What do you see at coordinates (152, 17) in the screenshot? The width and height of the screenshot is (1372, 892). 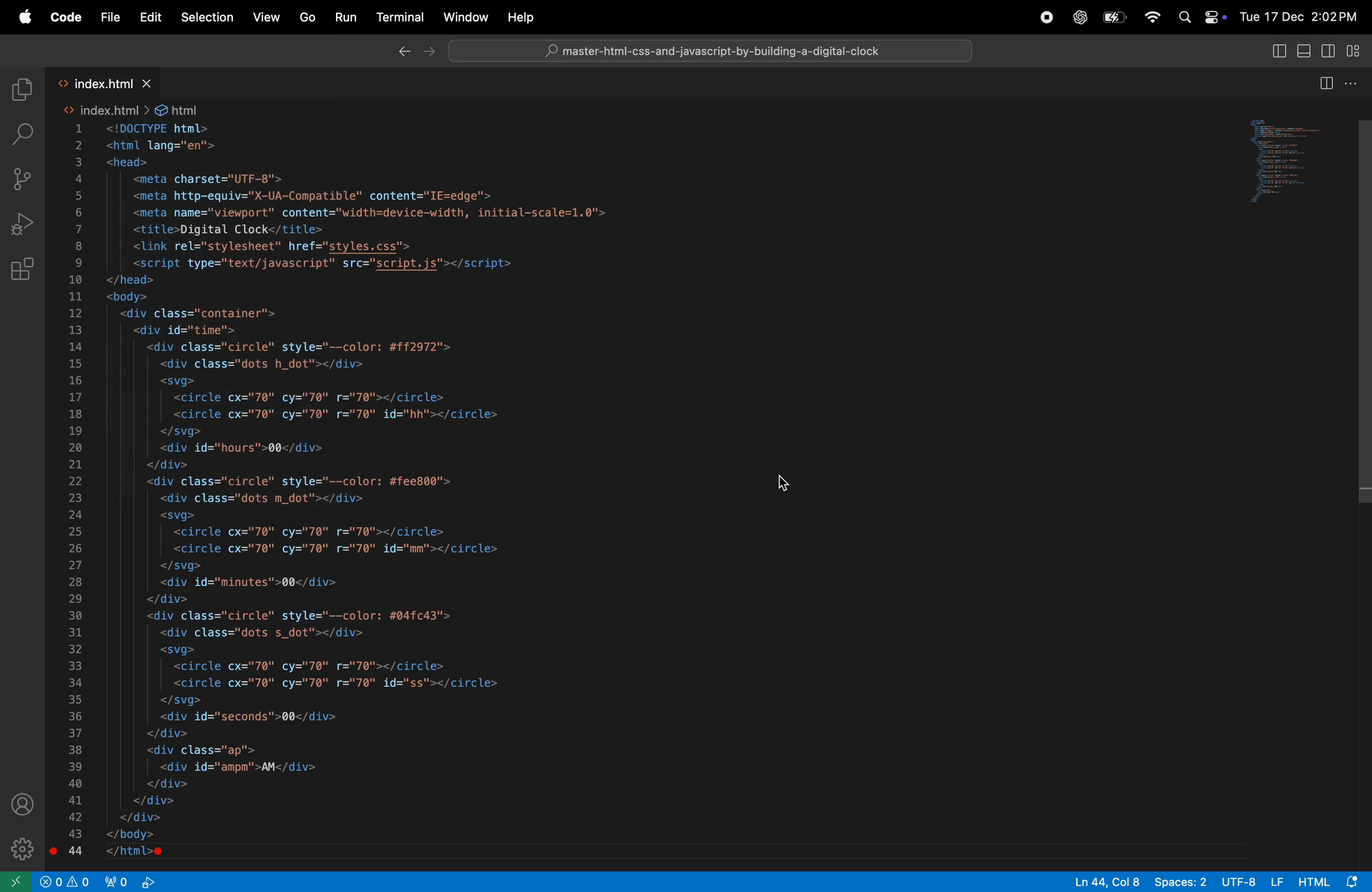 I see `edit` at bounding box center [152, 17].